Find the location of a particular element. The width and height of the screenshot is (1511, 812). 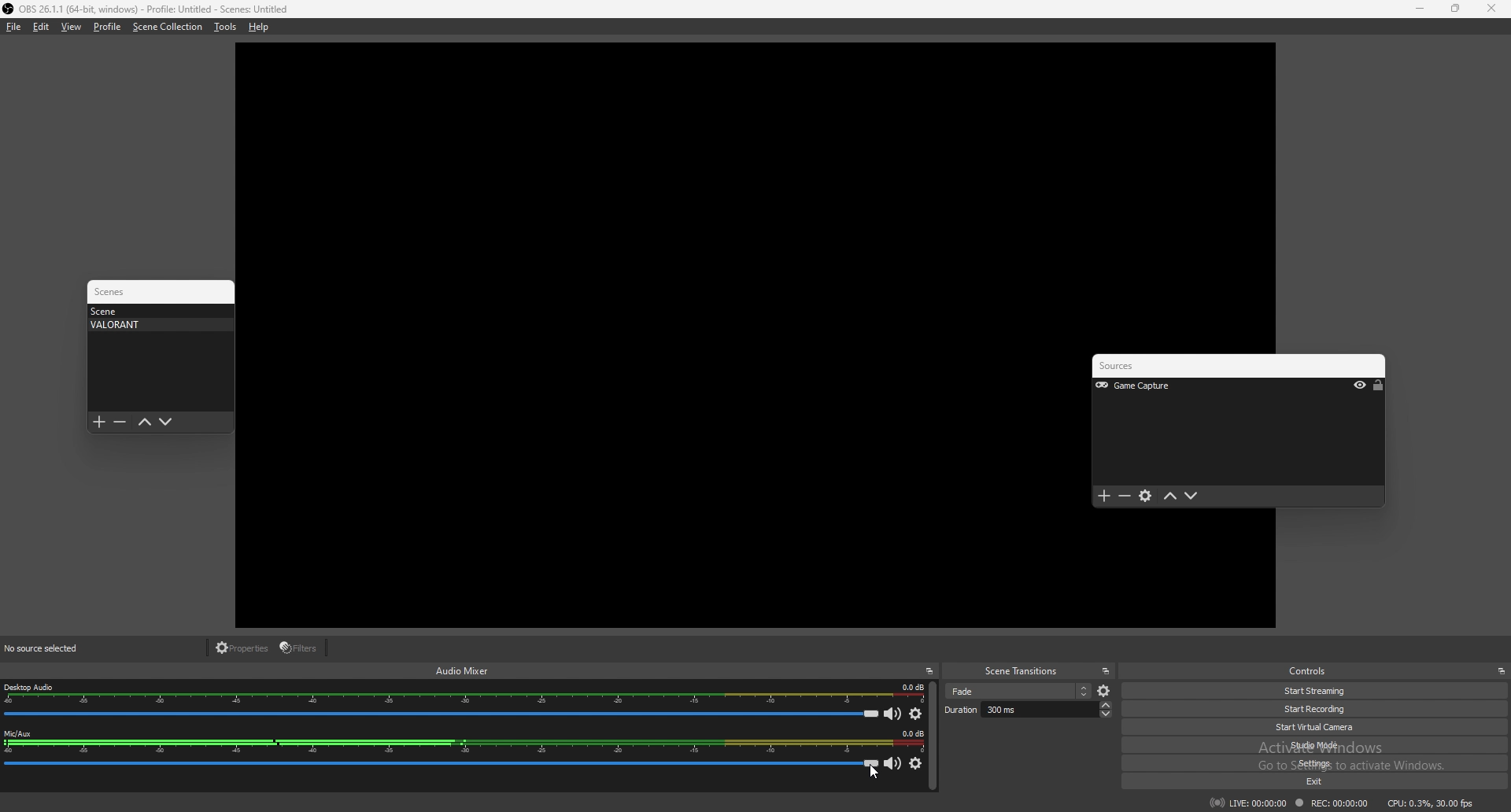

mic/aux is located at coordinates (463, 743).